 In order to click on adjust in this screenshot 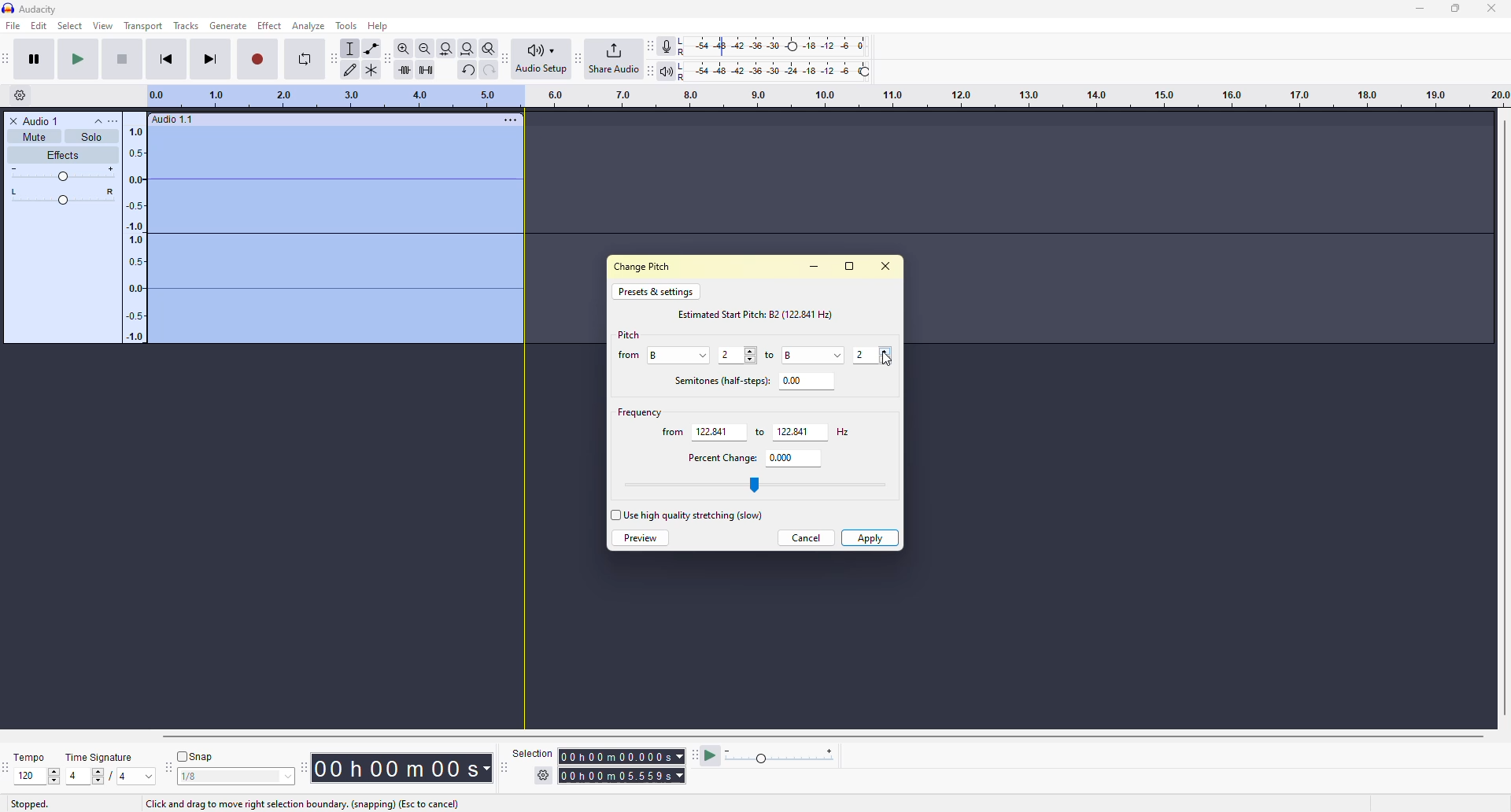, I will do `click(65, 197)`.